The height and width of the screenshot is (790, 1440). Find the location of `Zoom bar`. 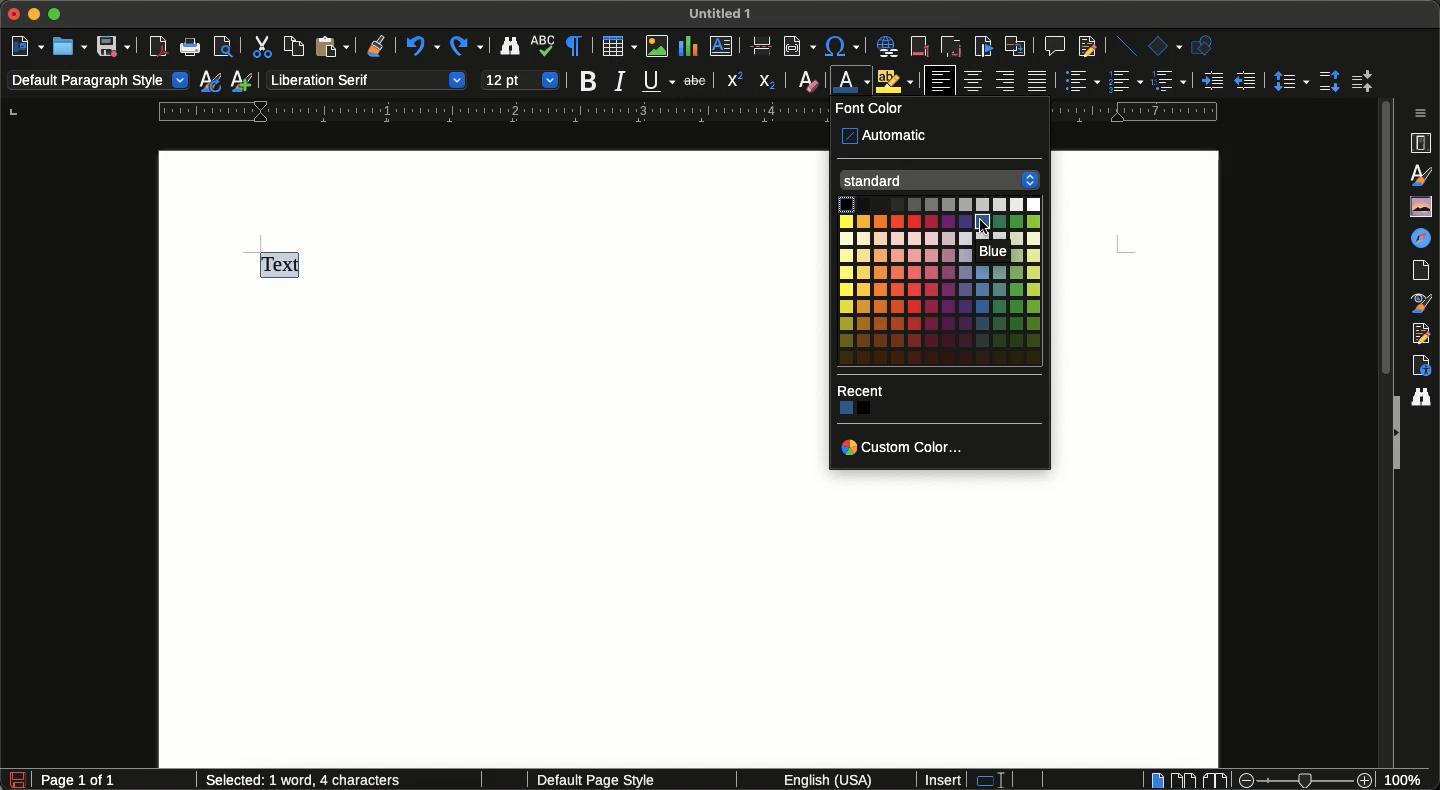

Zoom bar is located at coordinates (1304, 780).